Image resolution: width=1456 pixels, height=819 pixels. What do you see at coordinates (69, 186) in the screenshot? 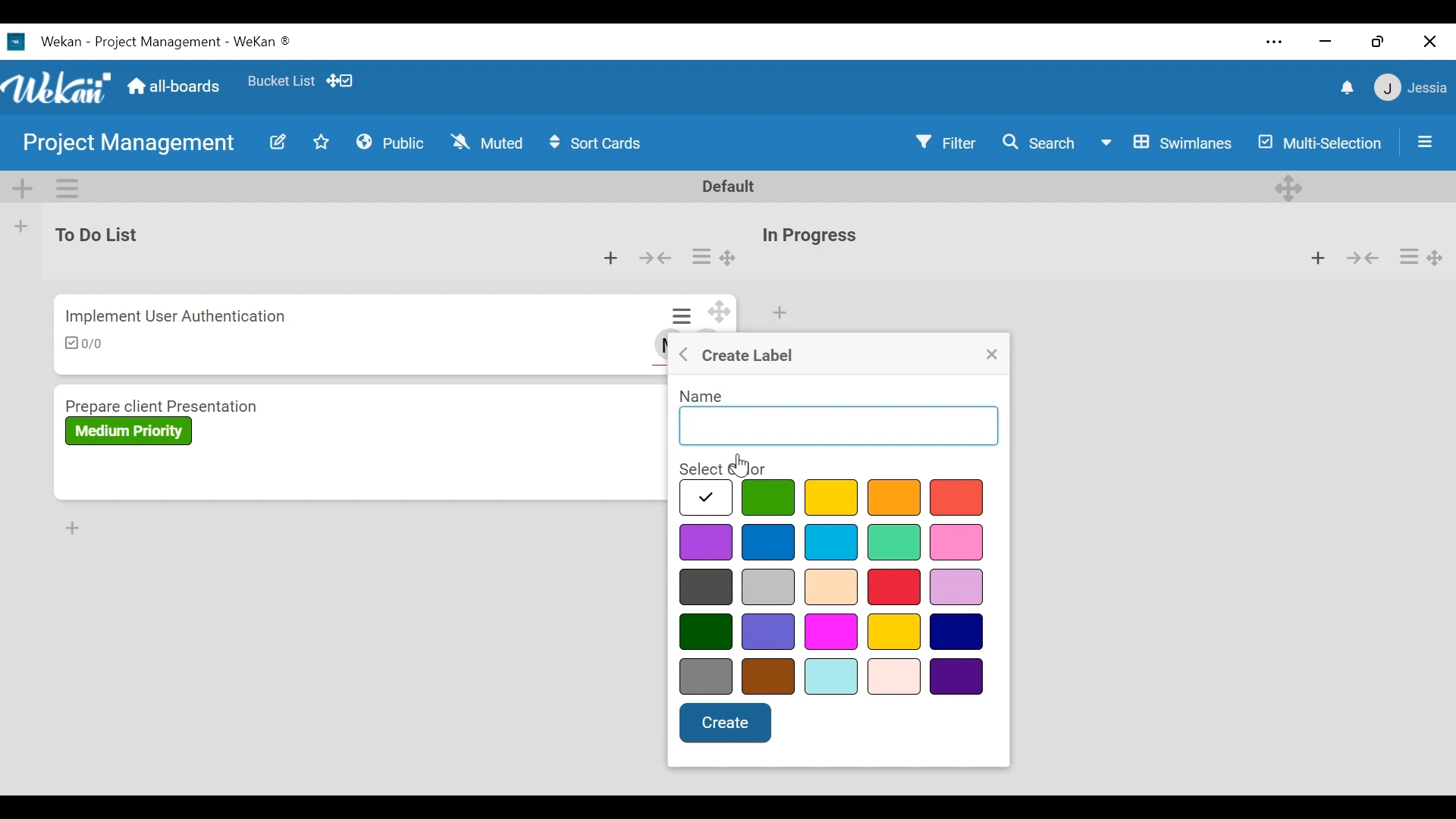
I see `Swimlane actions` at bounding box center [69, 186].